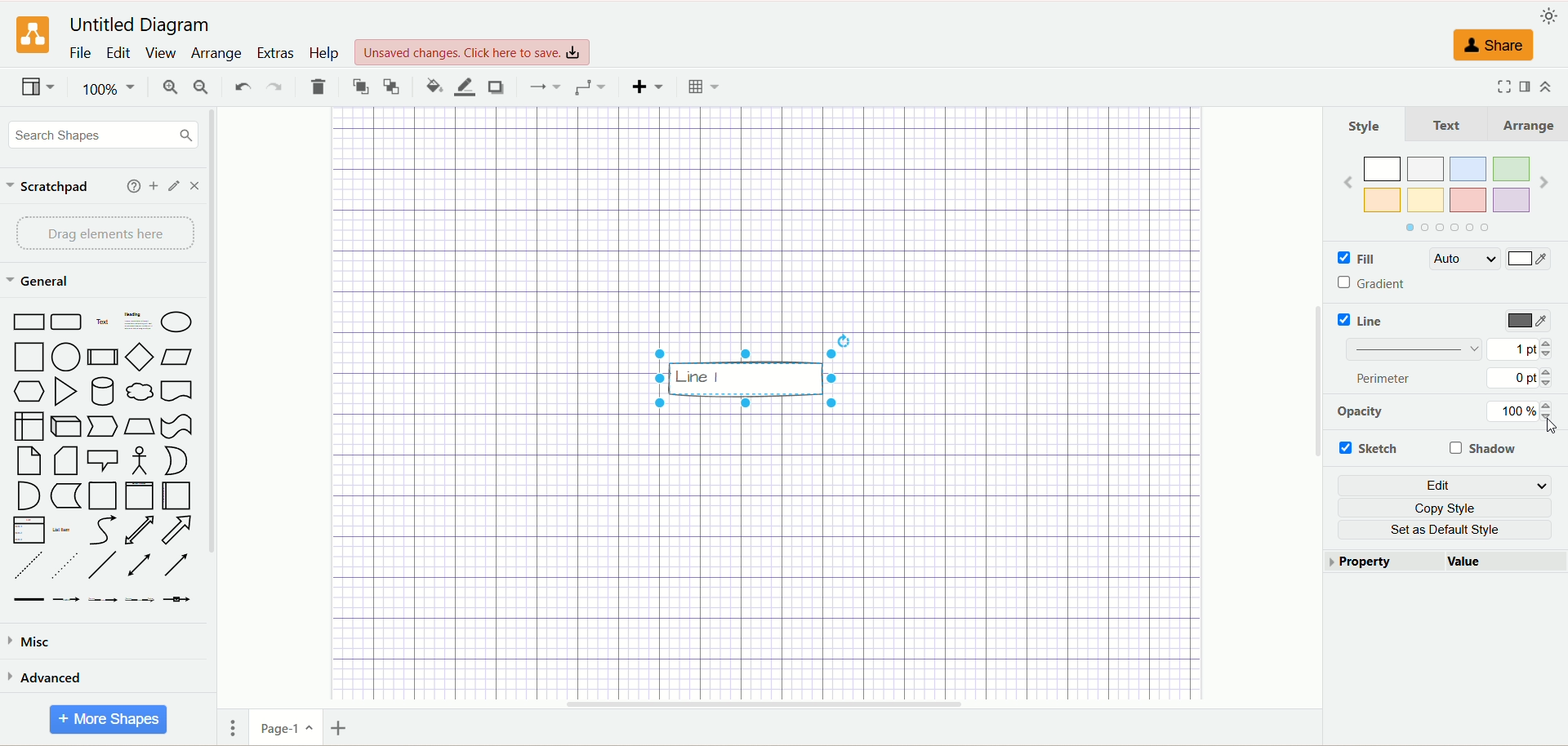 This screenshot has height=746, width=1568. What do you see at coordinates (1526, 87) in the screenshot?
I see `format` at bounding box center [1526, 87].